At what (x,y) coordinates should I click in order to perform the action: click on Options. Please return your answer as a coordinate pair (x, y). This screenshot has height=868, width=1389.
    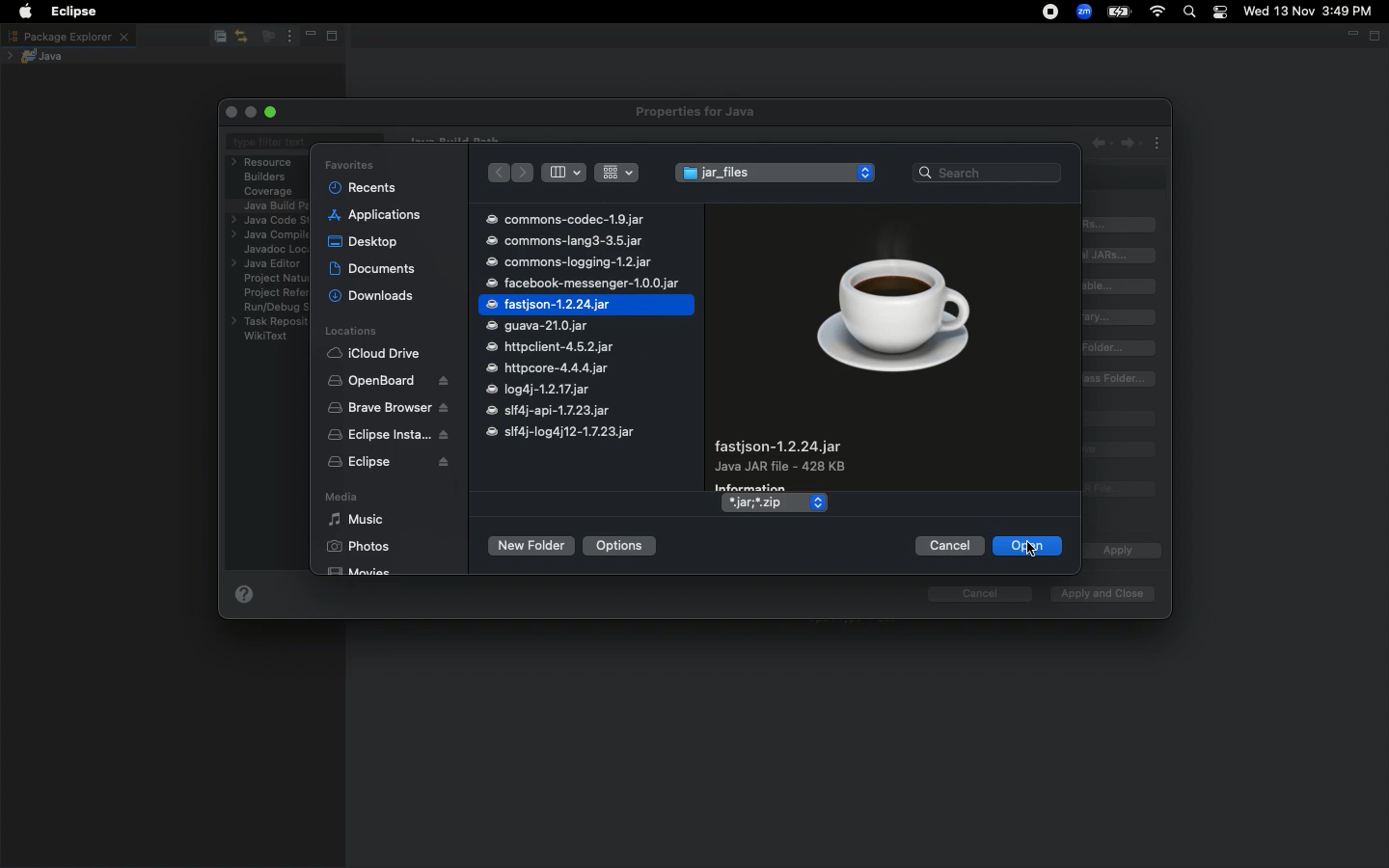
    Looking at the image, I should click on (621, 545).